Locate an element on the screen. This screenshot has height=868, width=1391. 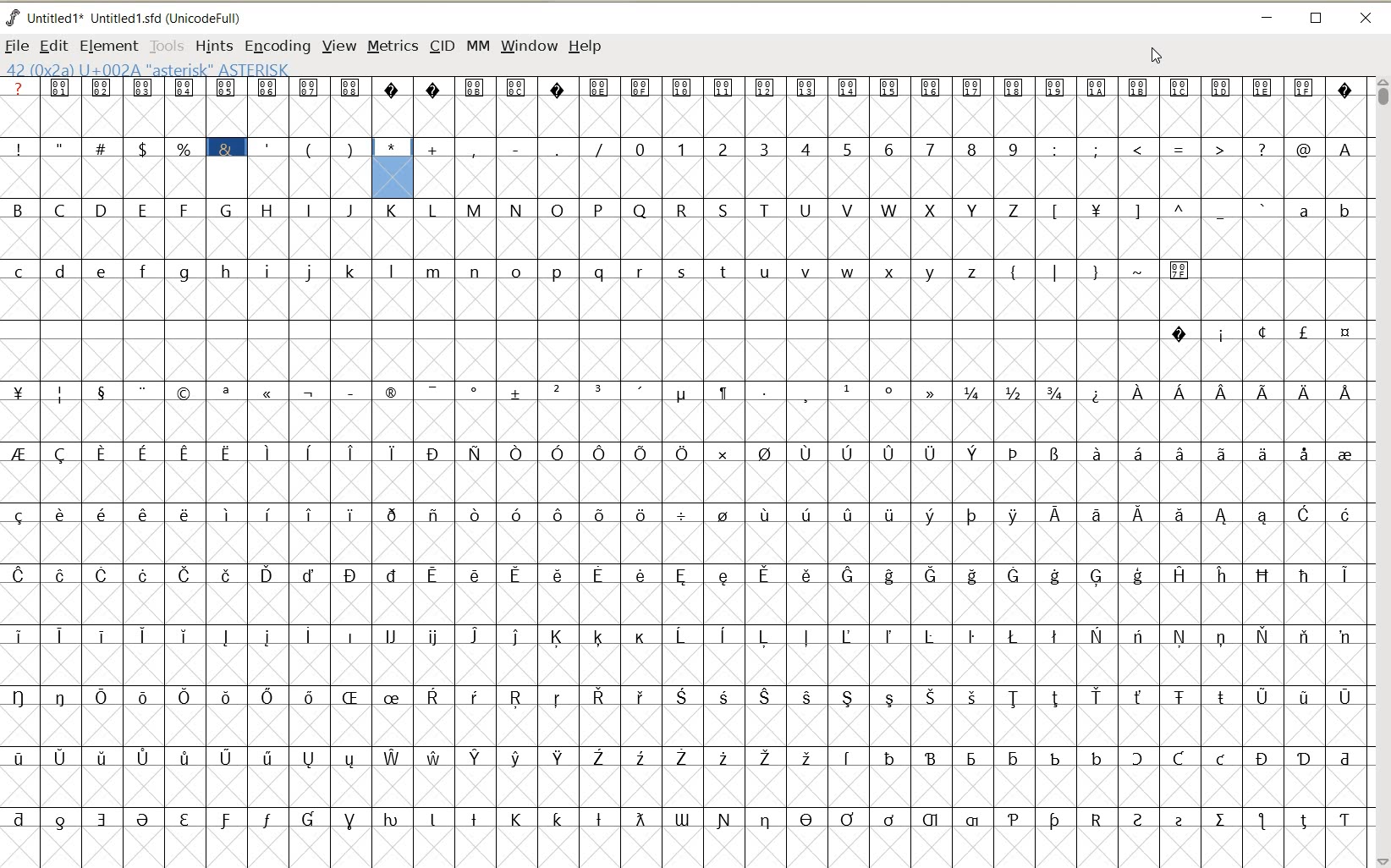
ENCODING is located at coordinates (277, 47).